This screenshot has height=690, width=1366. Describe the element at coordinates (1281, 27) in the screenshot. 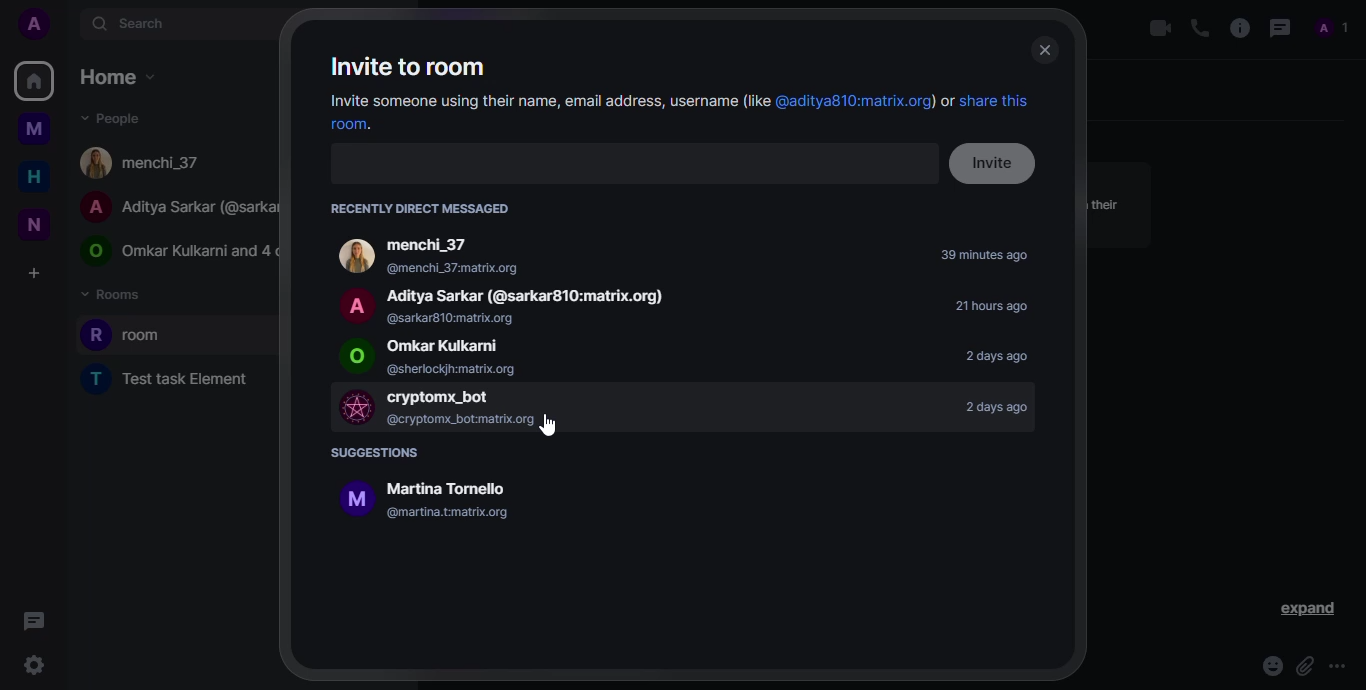

I see `threads` at that location.